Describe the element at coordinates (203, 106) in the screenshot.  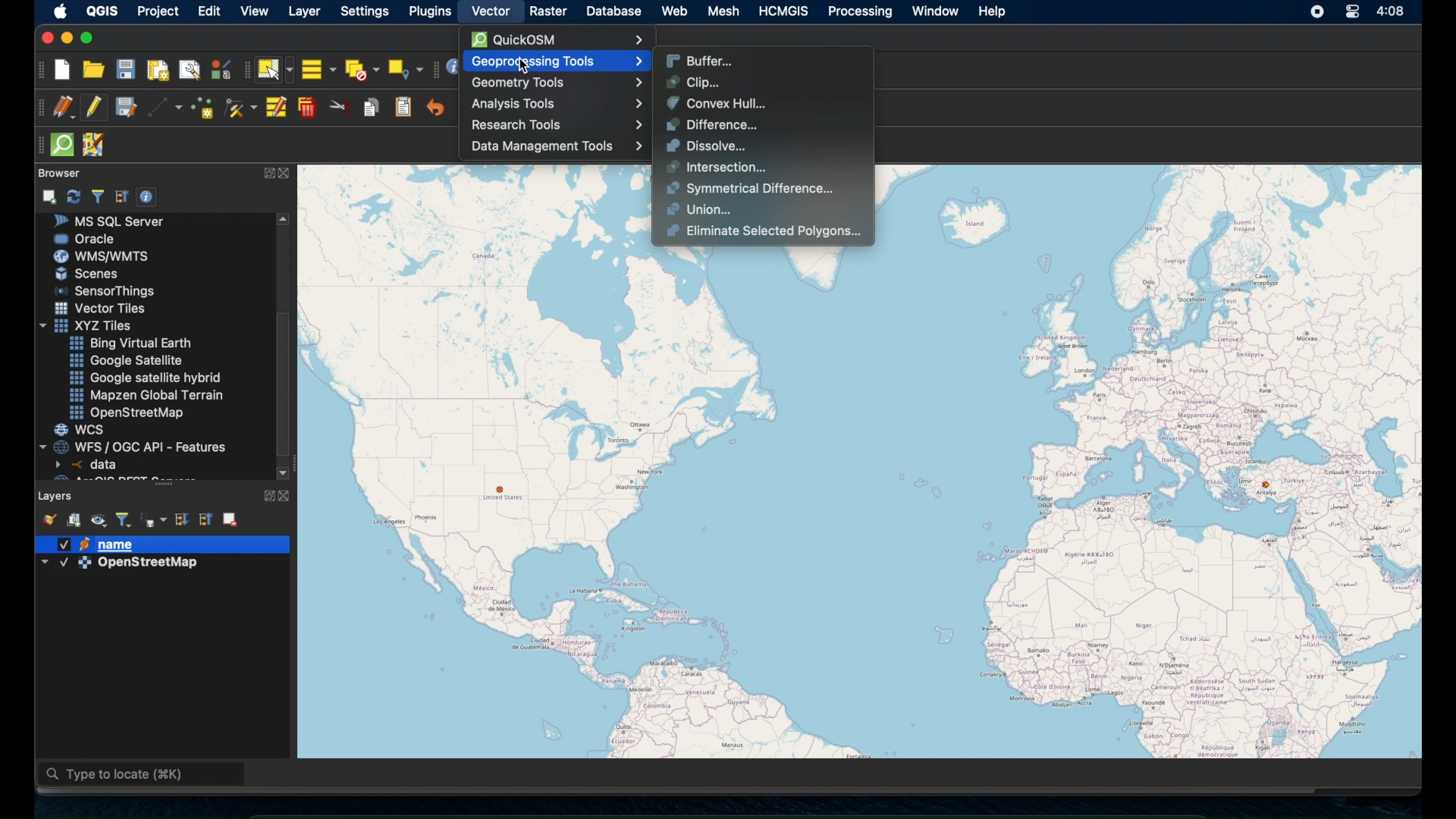
I see `add point feature` at that location.